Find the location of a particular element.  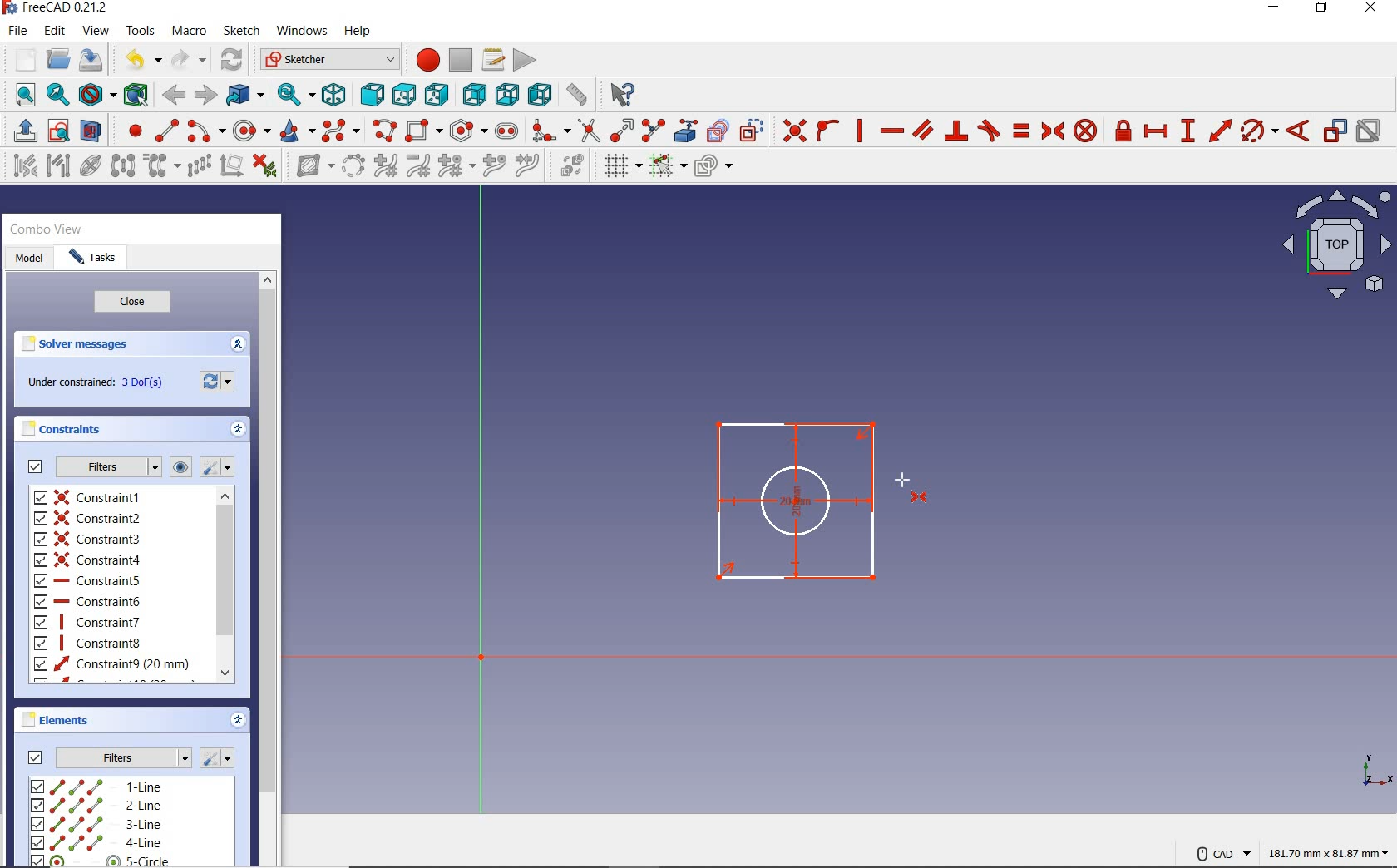

convert geometry to b-spline is located at coordinates (353, 165).